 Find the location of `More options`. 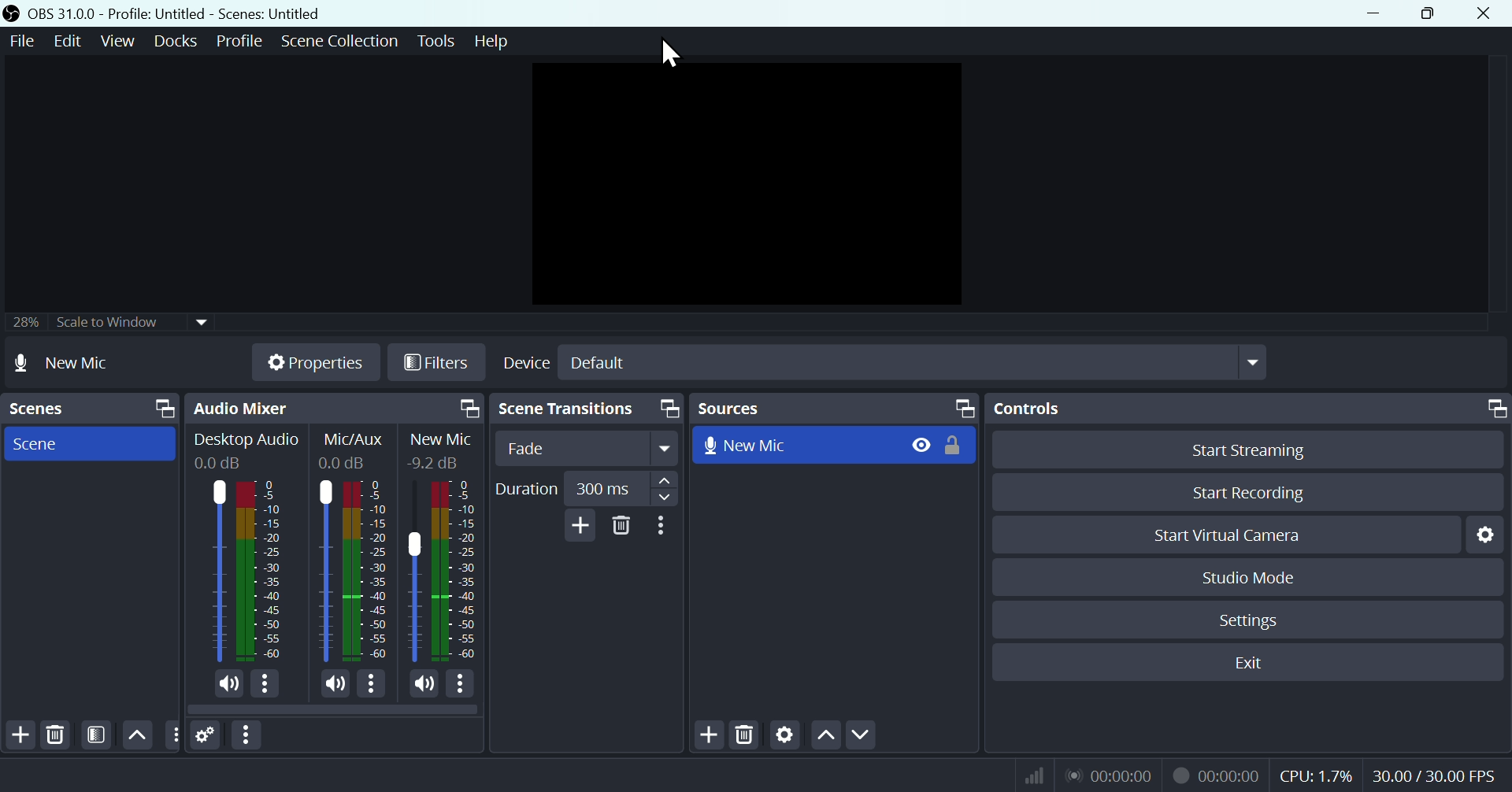

More options is located at coordinates (461, 685).